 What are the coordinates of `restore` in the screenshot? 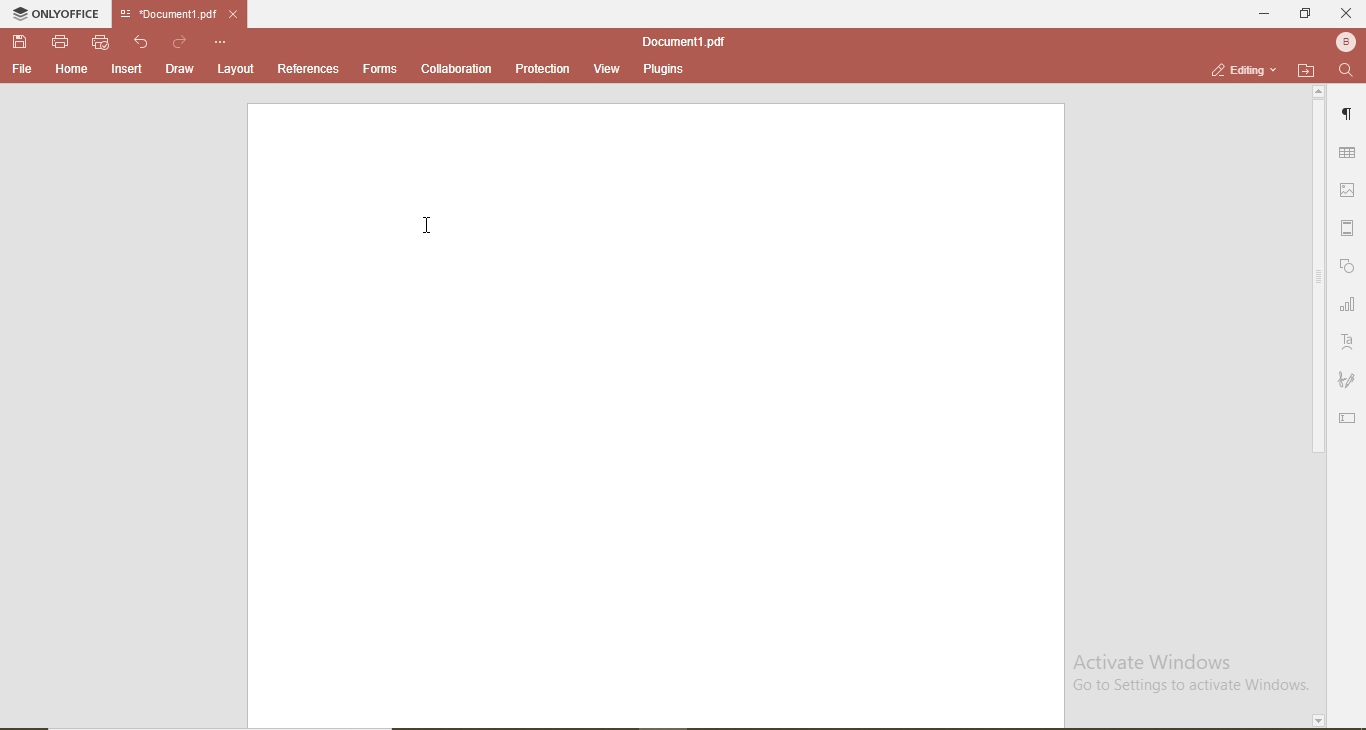 It's located at (1308, 16).